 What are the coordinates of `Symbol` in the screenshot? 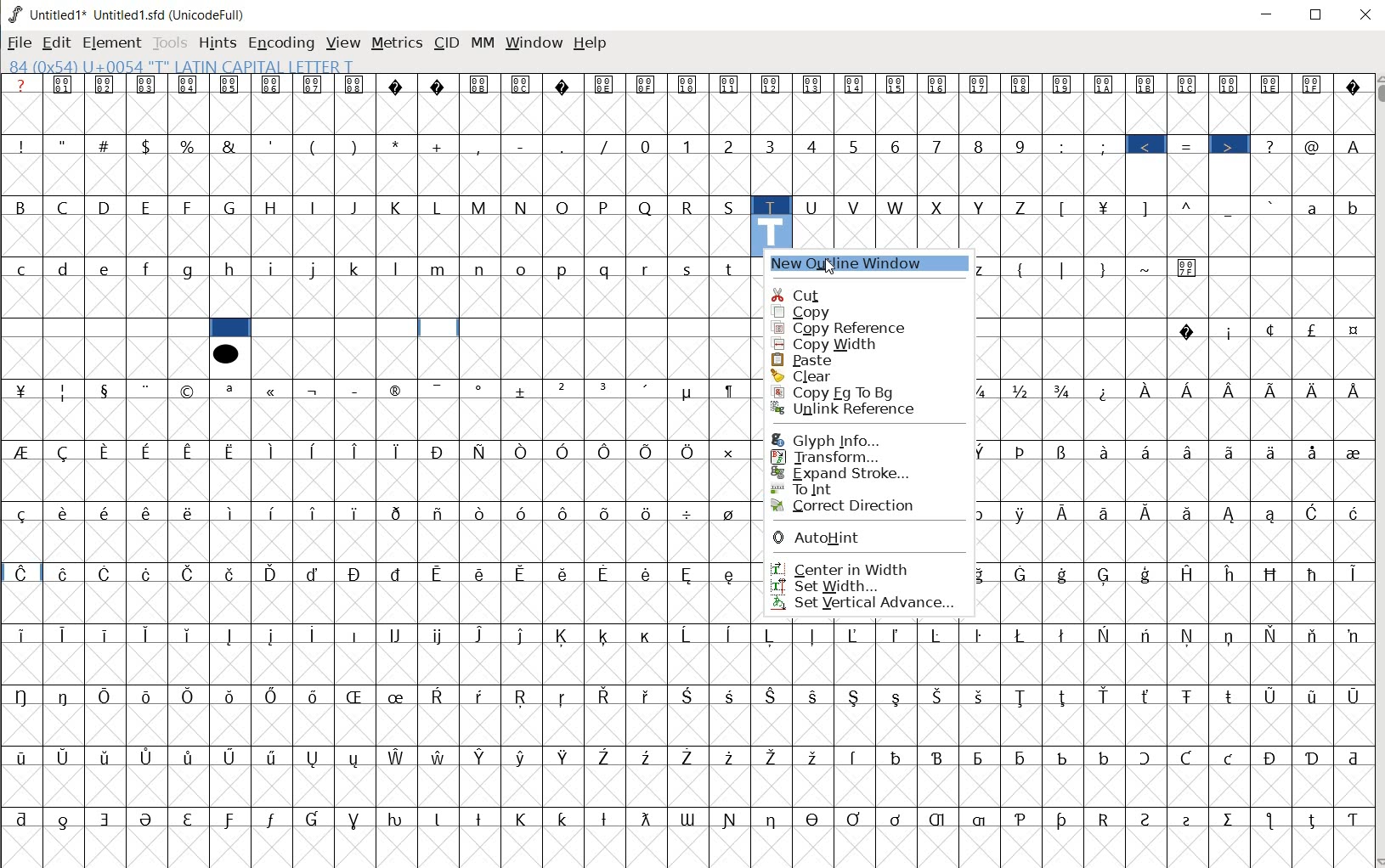 It's located at (315, 758).